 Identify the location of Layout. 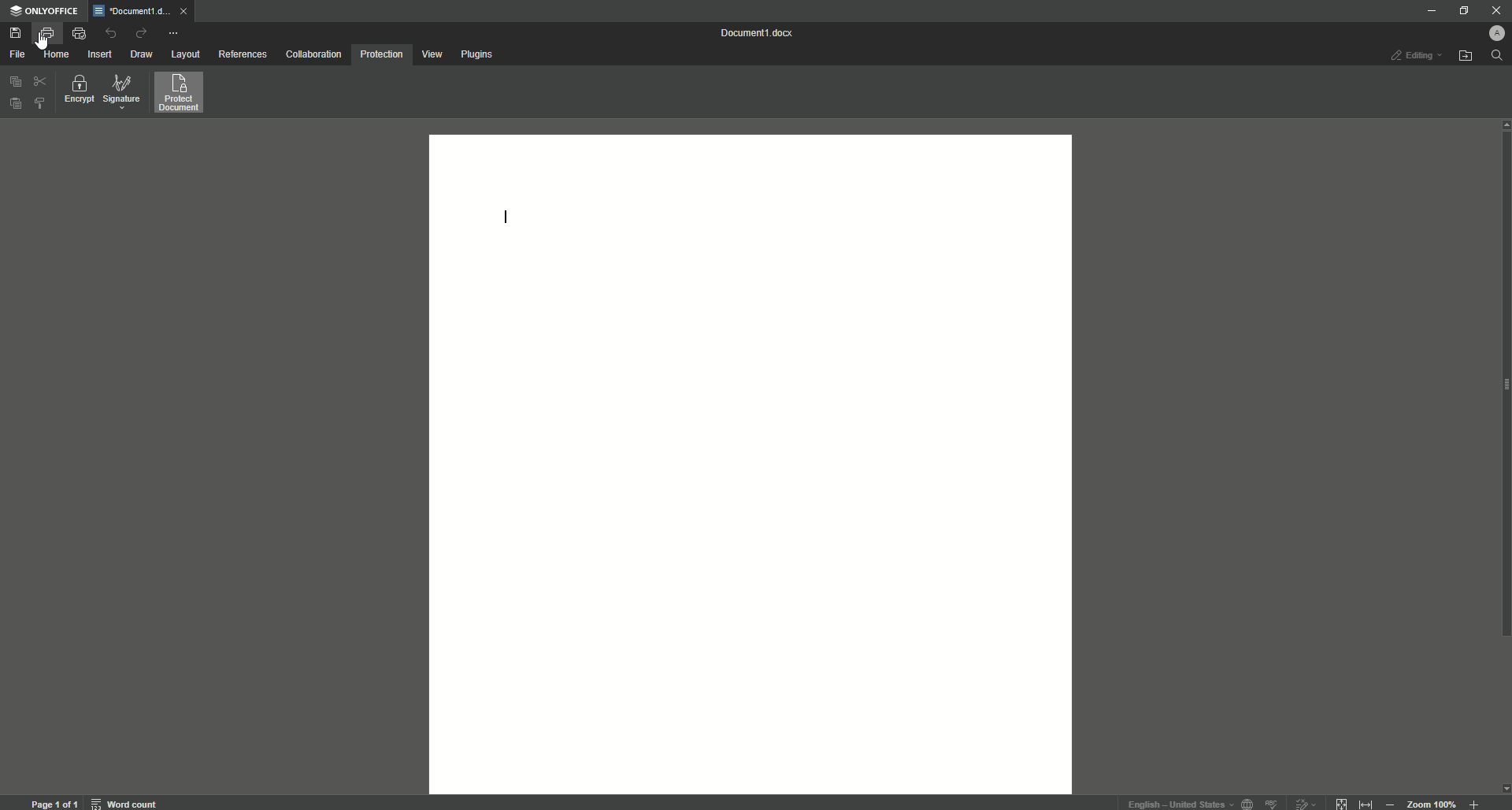
(184, 55).